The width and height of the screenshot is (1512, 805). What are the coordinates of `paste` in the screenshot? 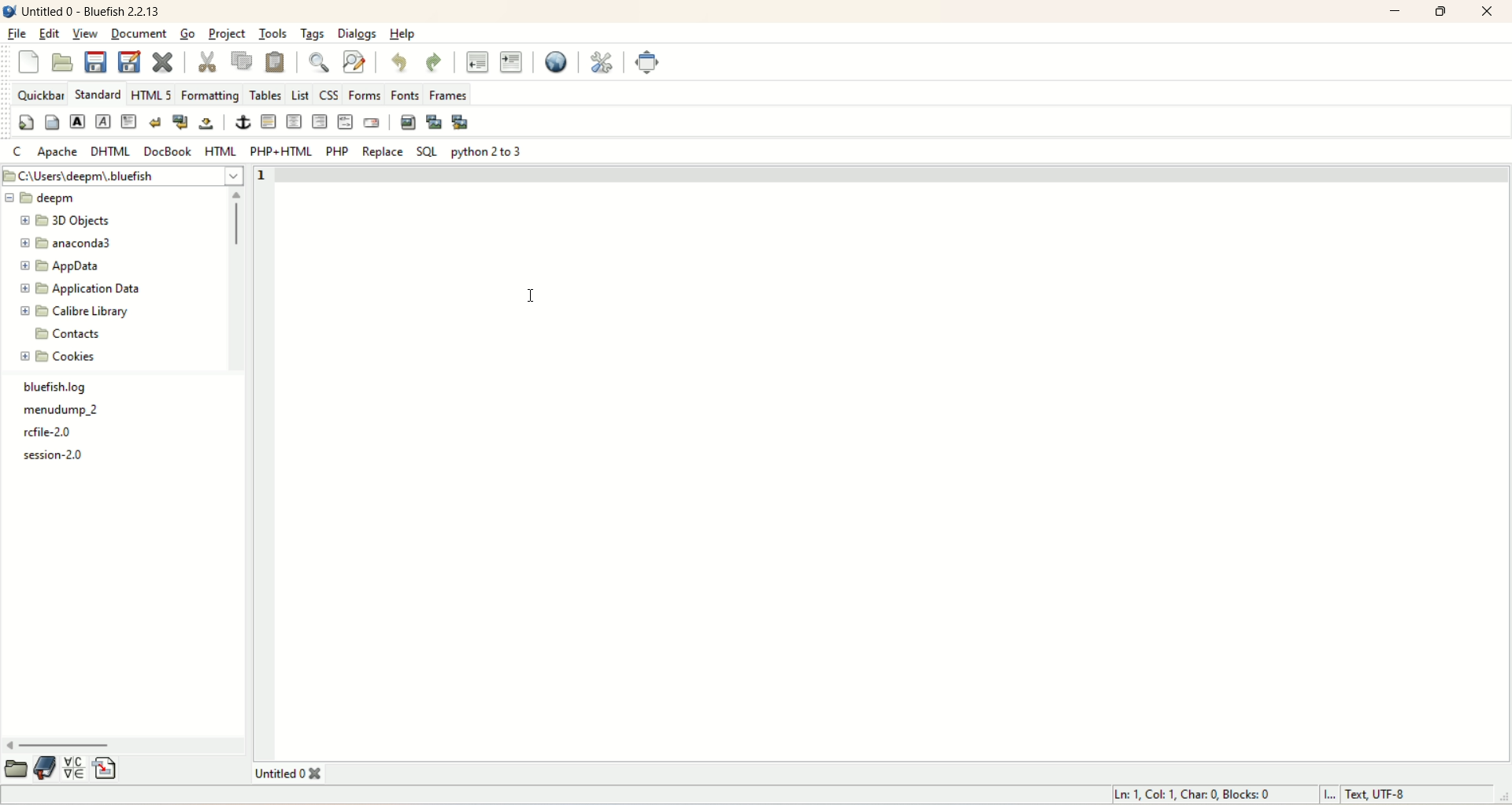 It's located at (277, 61).